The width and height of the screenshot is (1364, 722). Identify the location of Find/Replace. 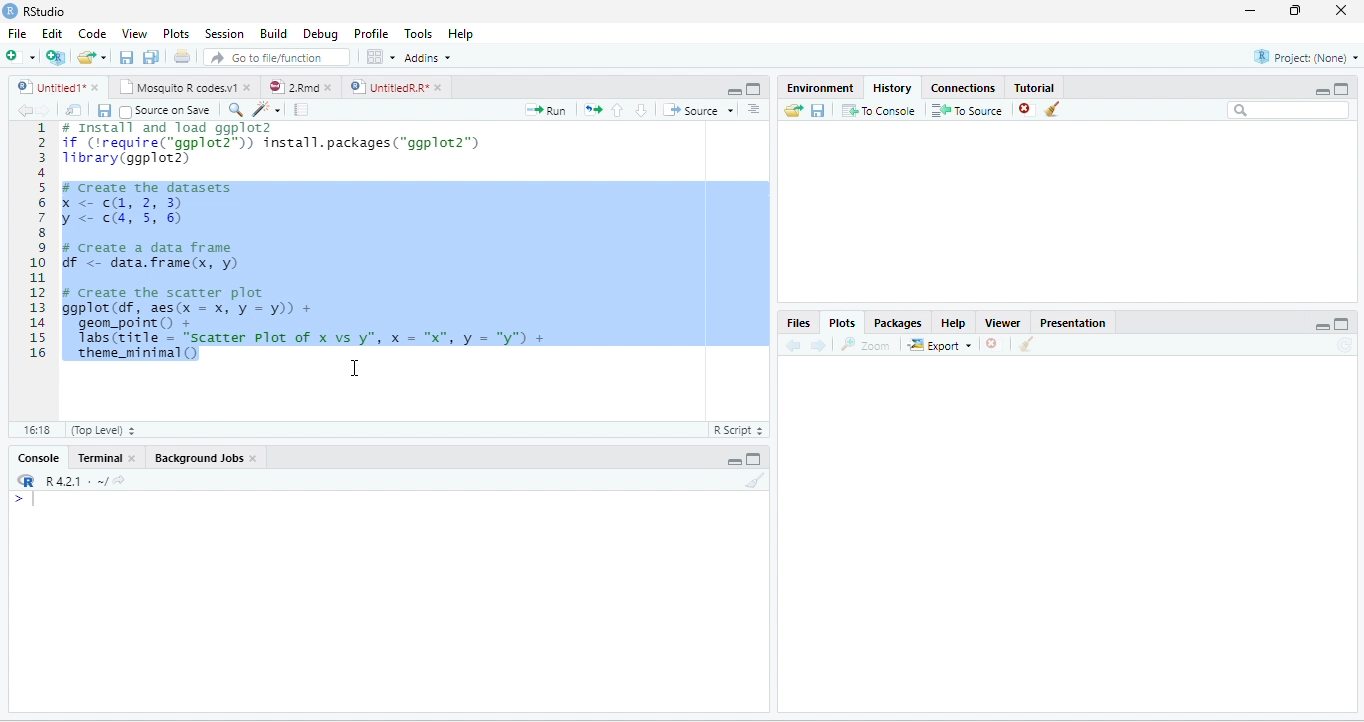
(237, 111).